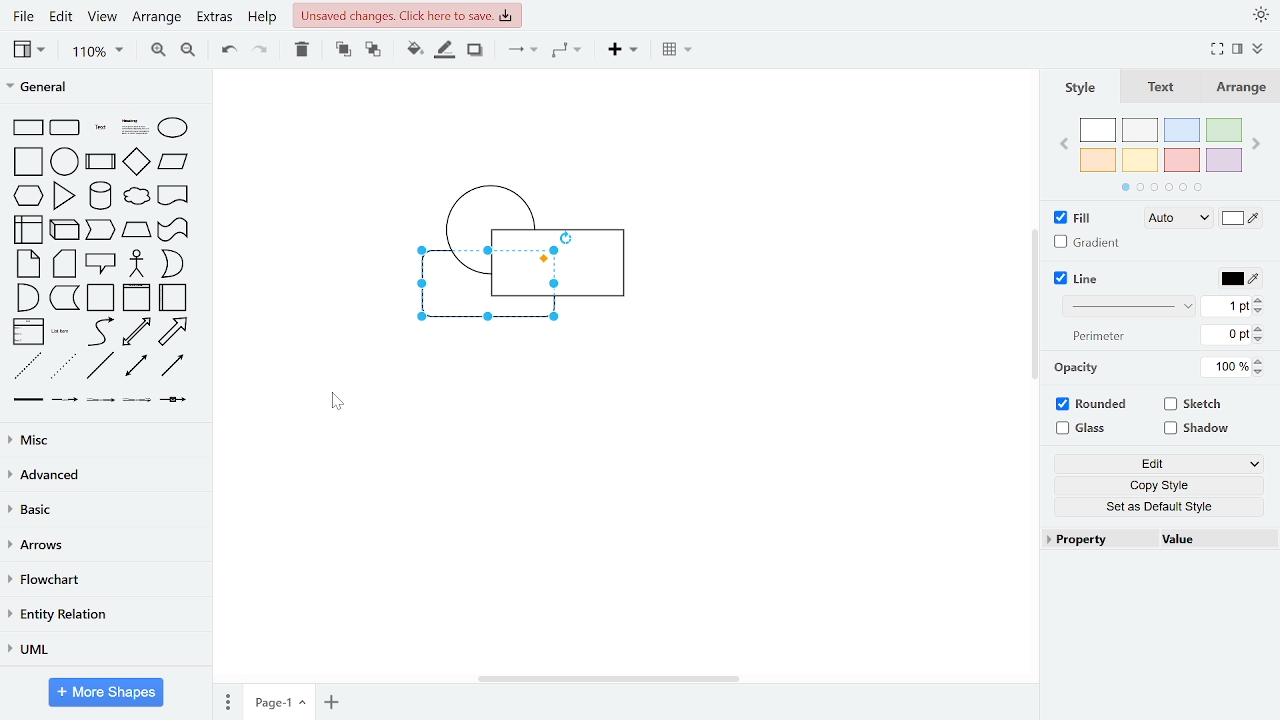 Image resolution: width=1280 pixels, height=720 pixels. What do you see at coordinates (30, 162) in the screenshot?
I see `square` at bounding box center [30, 162].